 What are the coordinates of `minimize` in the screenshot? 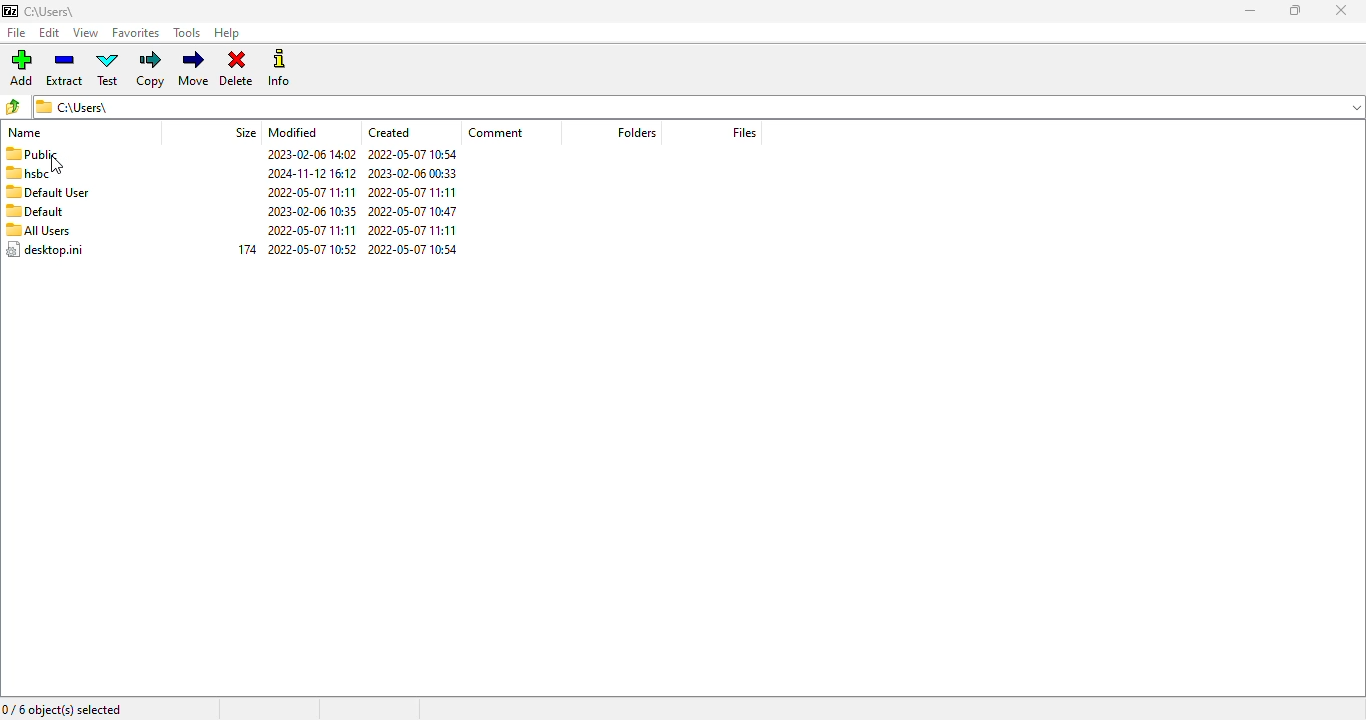 It's located at (1251, 11).